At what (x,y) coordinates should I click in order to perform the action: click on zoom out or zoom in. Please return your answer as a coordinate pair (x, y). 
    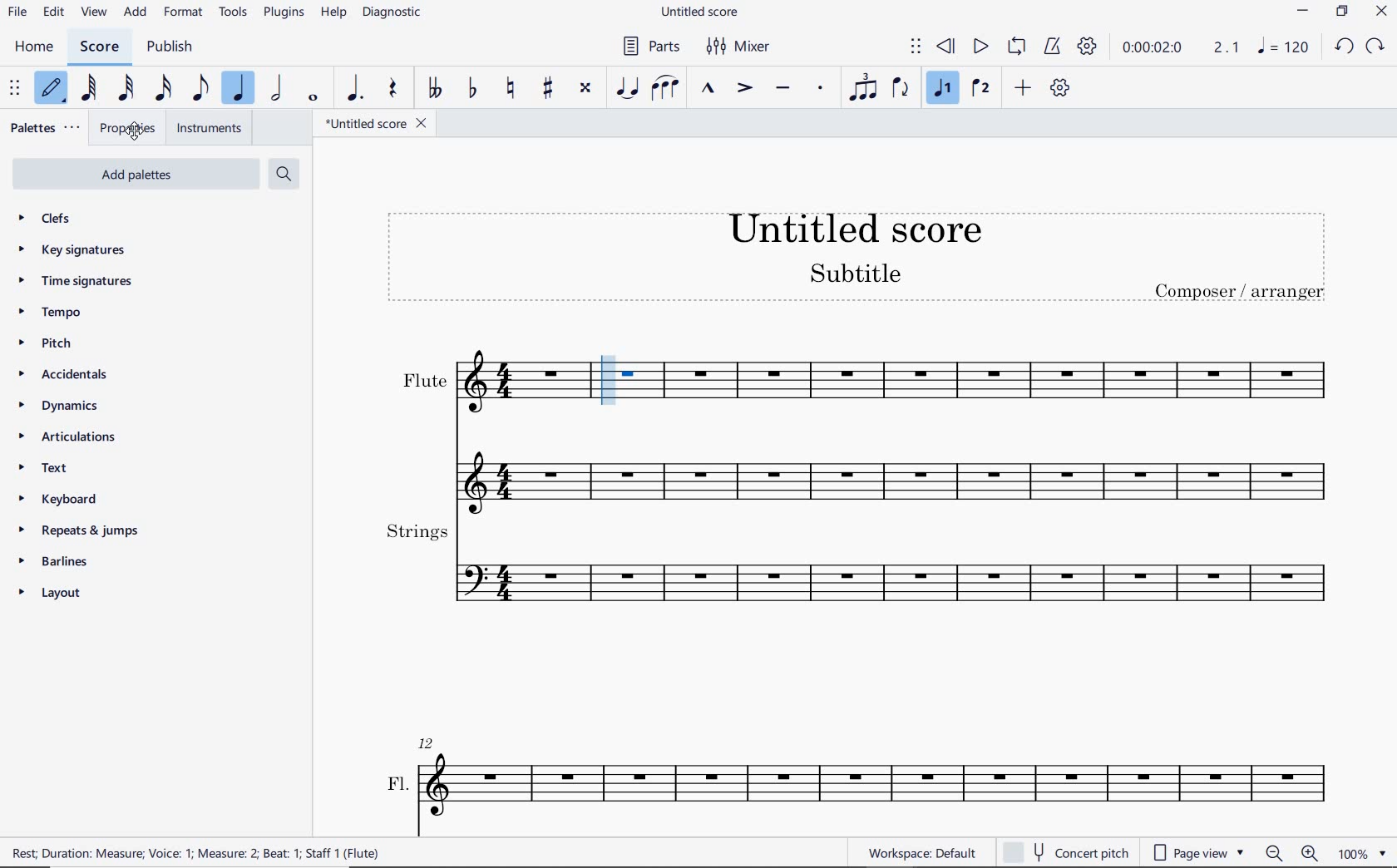
    Looking at the image, I should click on (1295, 854).